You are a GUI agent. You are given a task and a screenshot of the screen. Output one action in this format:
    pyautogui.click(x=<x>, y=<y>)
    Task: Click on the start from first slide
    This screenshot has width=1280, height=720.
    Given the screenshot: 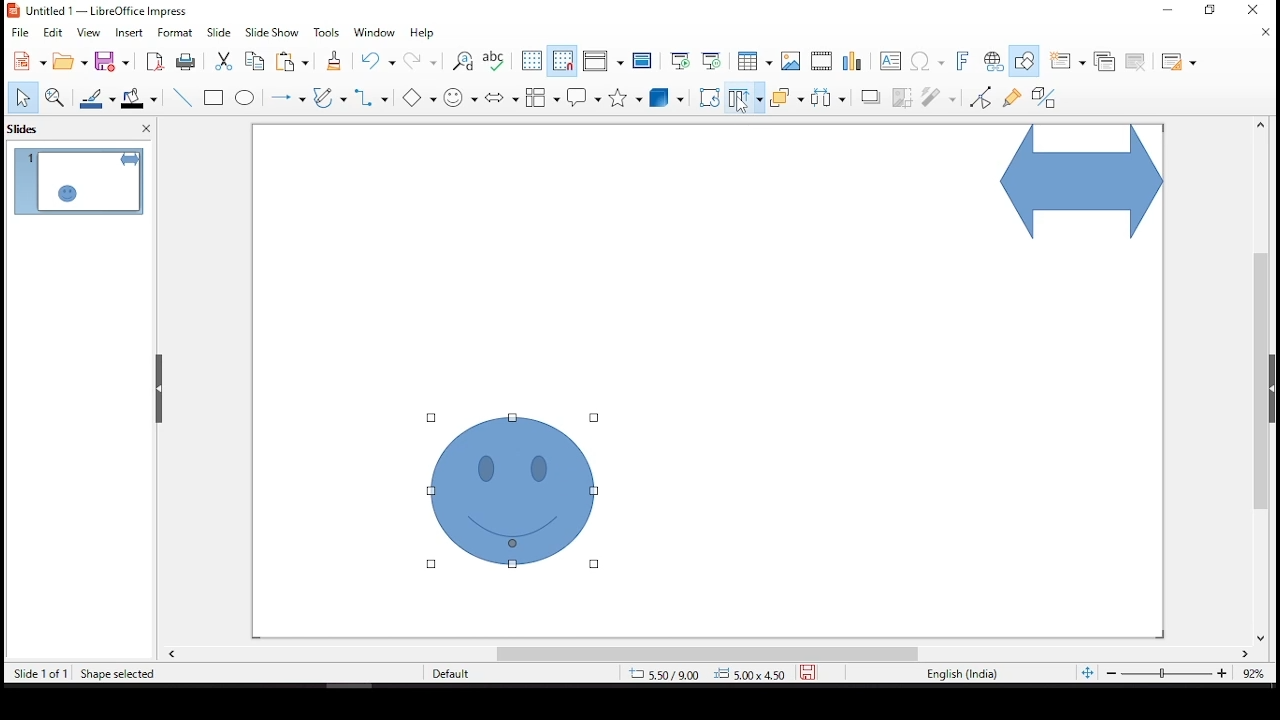 What is the action you would take?
    pyautogui.click(x=677, y=59)
    